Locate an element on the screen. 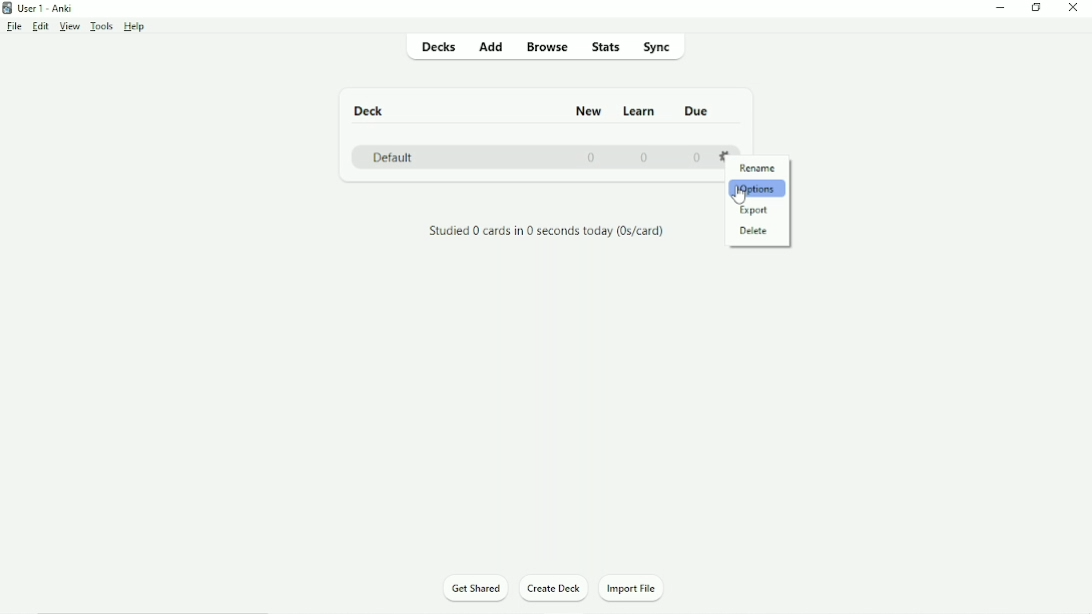 The width and height of the screenshot is (1092, 614). Add is located at coordinates (491, 46).